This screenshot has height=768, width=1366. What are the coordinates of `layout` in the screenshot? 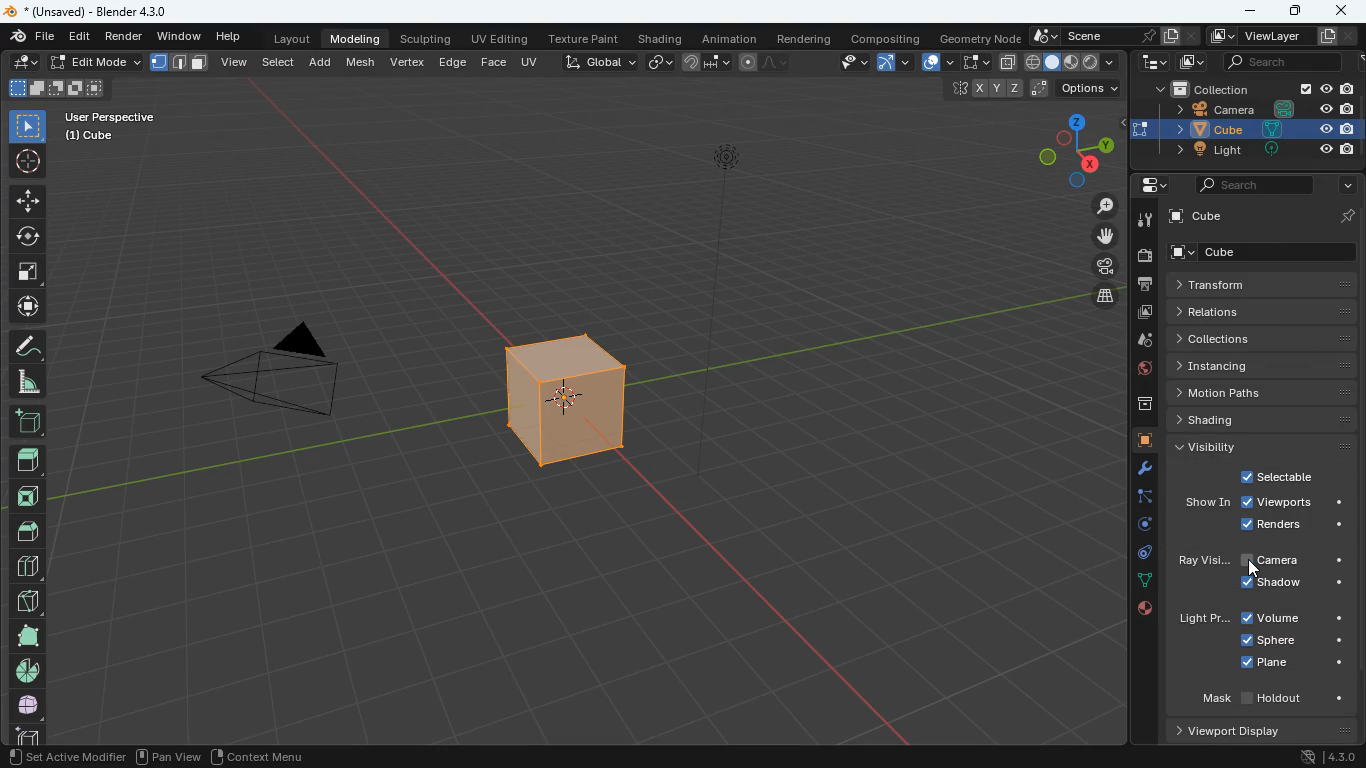 It's located at (287, 39).